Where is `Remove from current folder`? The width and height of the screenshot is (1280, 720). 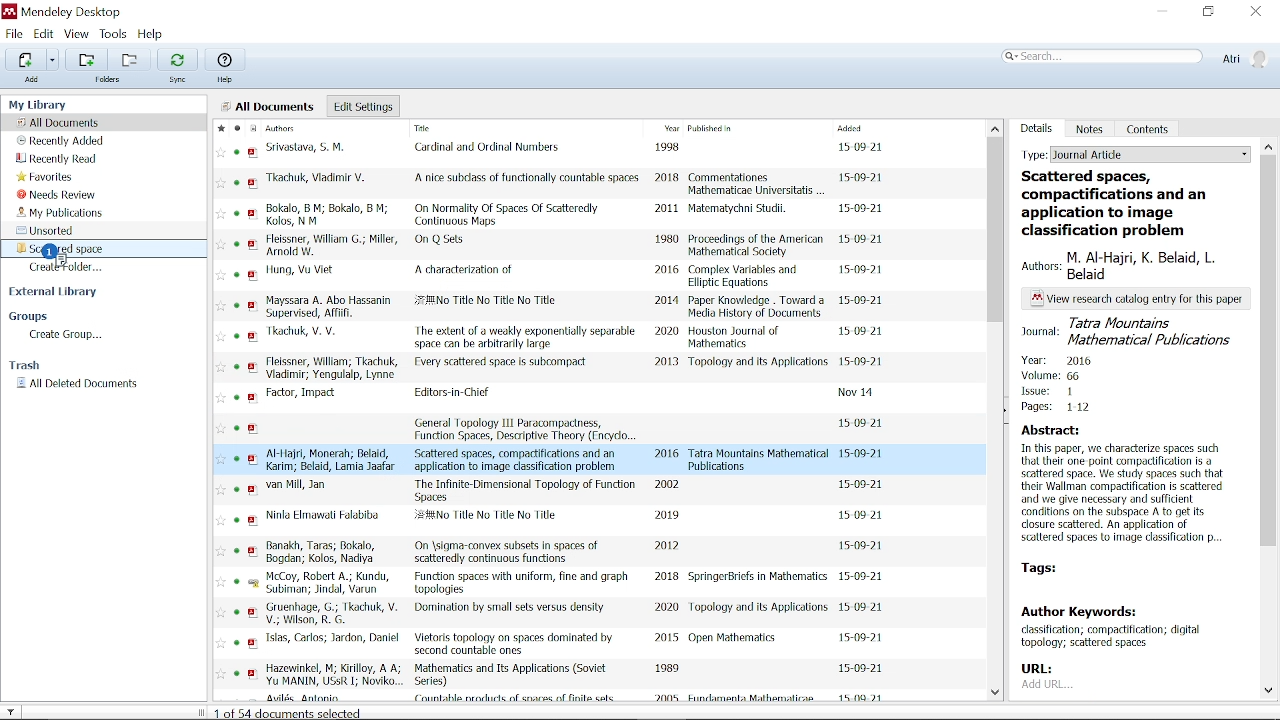
Remove from current folder is located at coordinates (128, 59).